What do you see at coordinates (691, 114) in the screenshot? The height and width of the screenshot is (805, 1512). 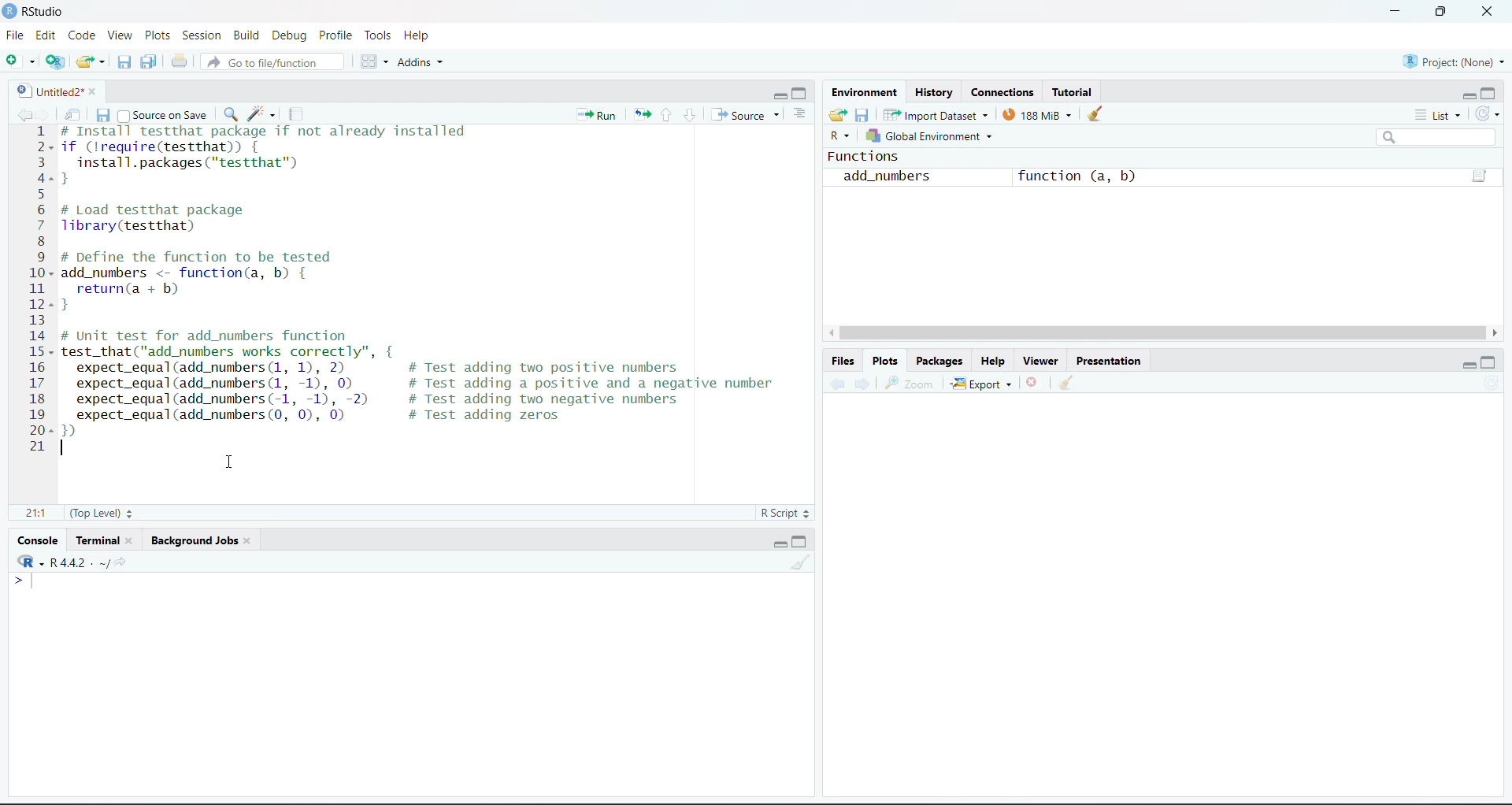 I see `go to next session of the chunk` at bounding box center [691, 114].